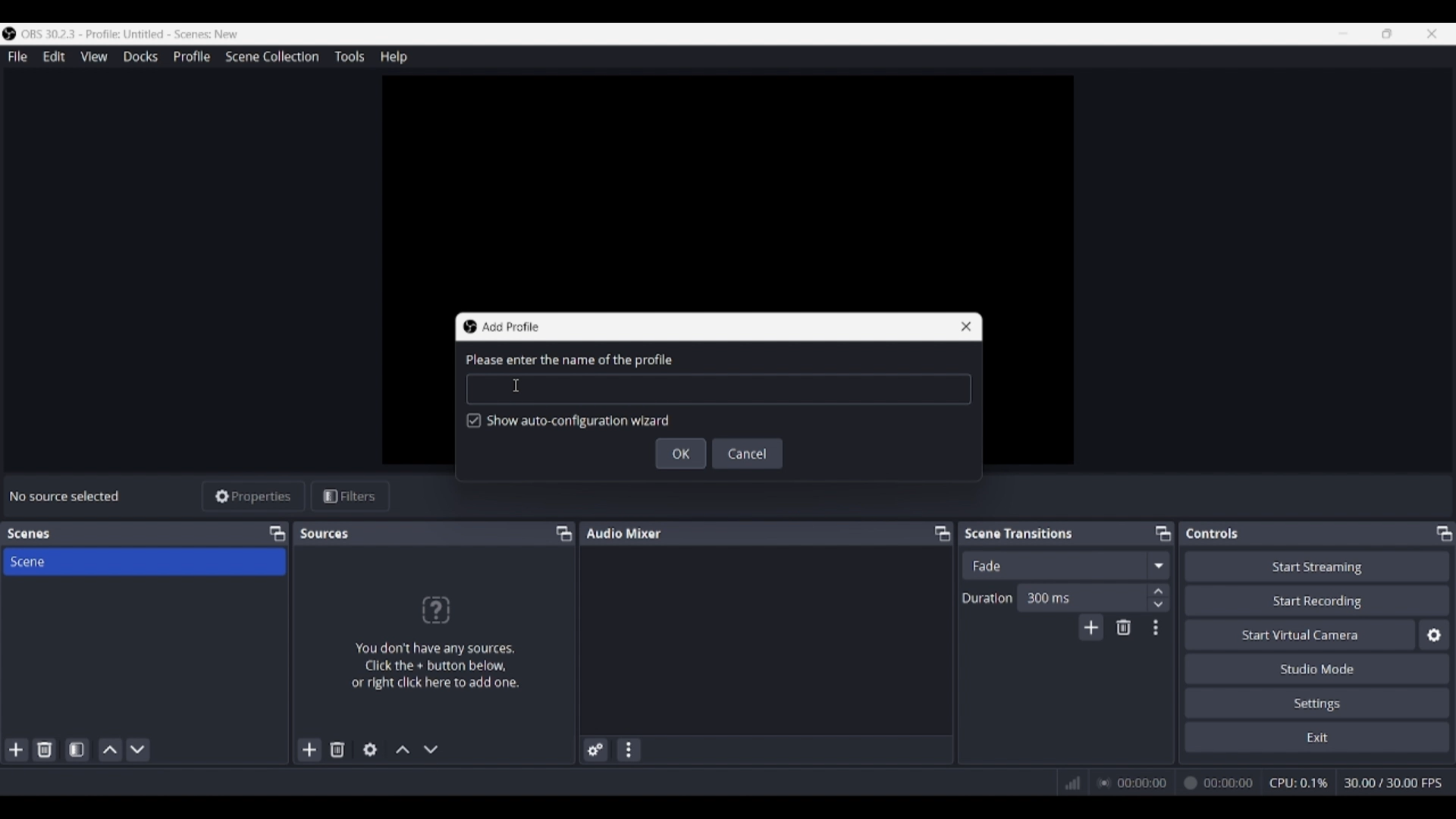  I want to click on Add source, so click(310, 749).